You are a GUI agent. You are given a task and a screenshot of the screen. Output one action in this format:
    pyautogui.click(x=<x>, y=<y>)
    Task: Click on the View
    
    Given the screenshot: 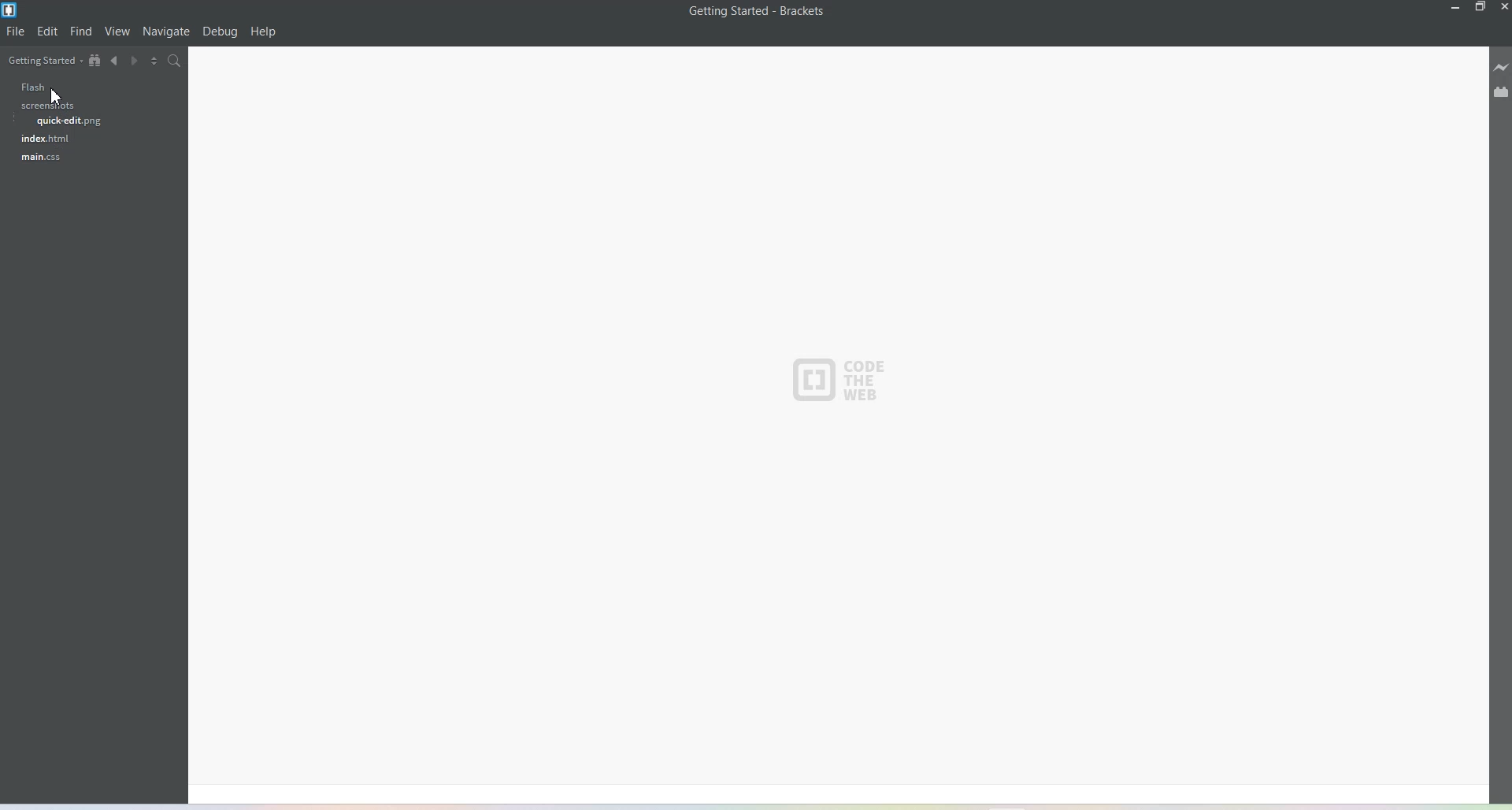 What is the action you would take?
    pyautogui.click(x=118, y=32)
    